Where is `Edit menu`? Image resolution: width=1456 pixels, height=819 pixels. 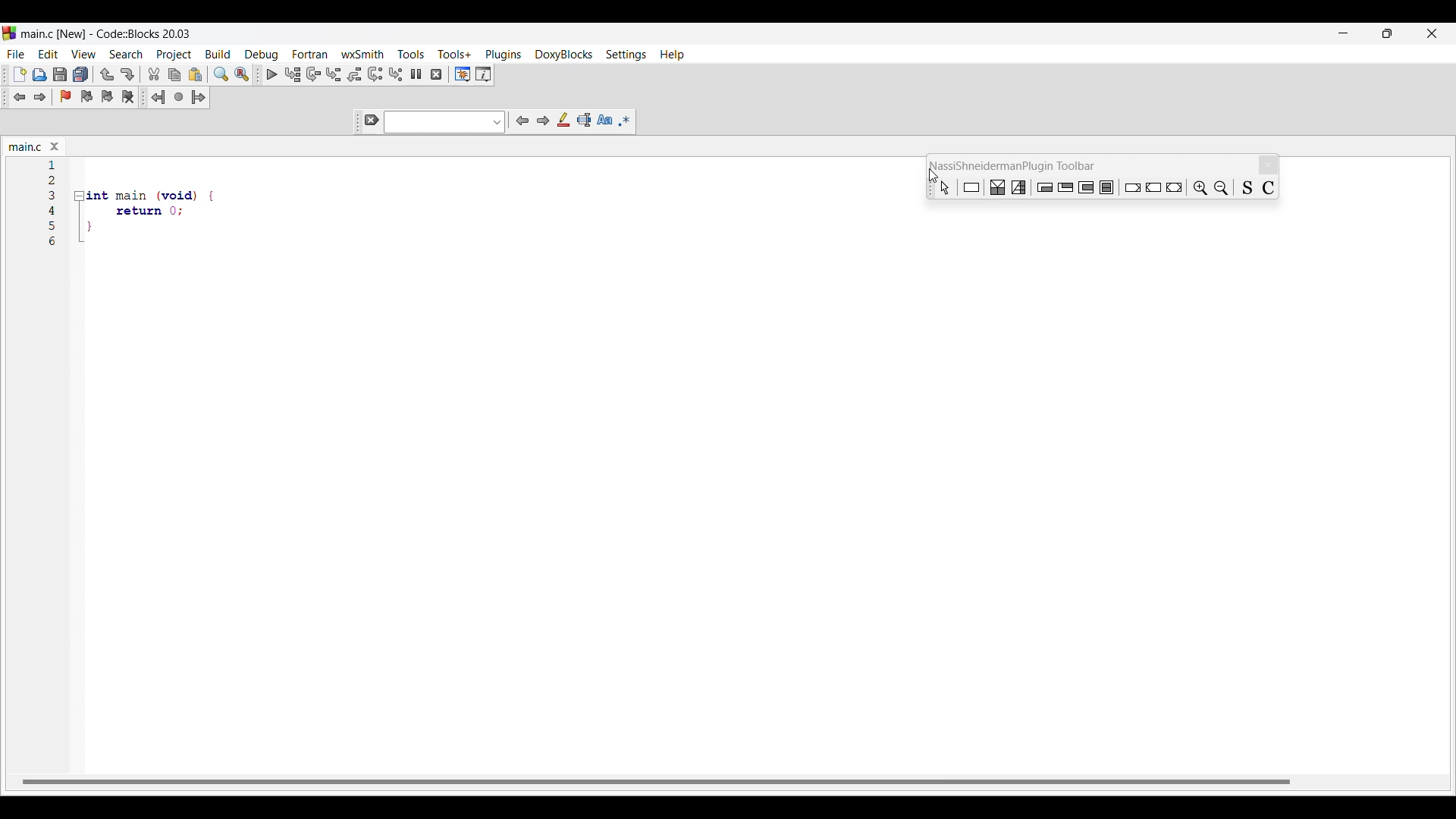 Edit menu is located at coordinates (49, 54).